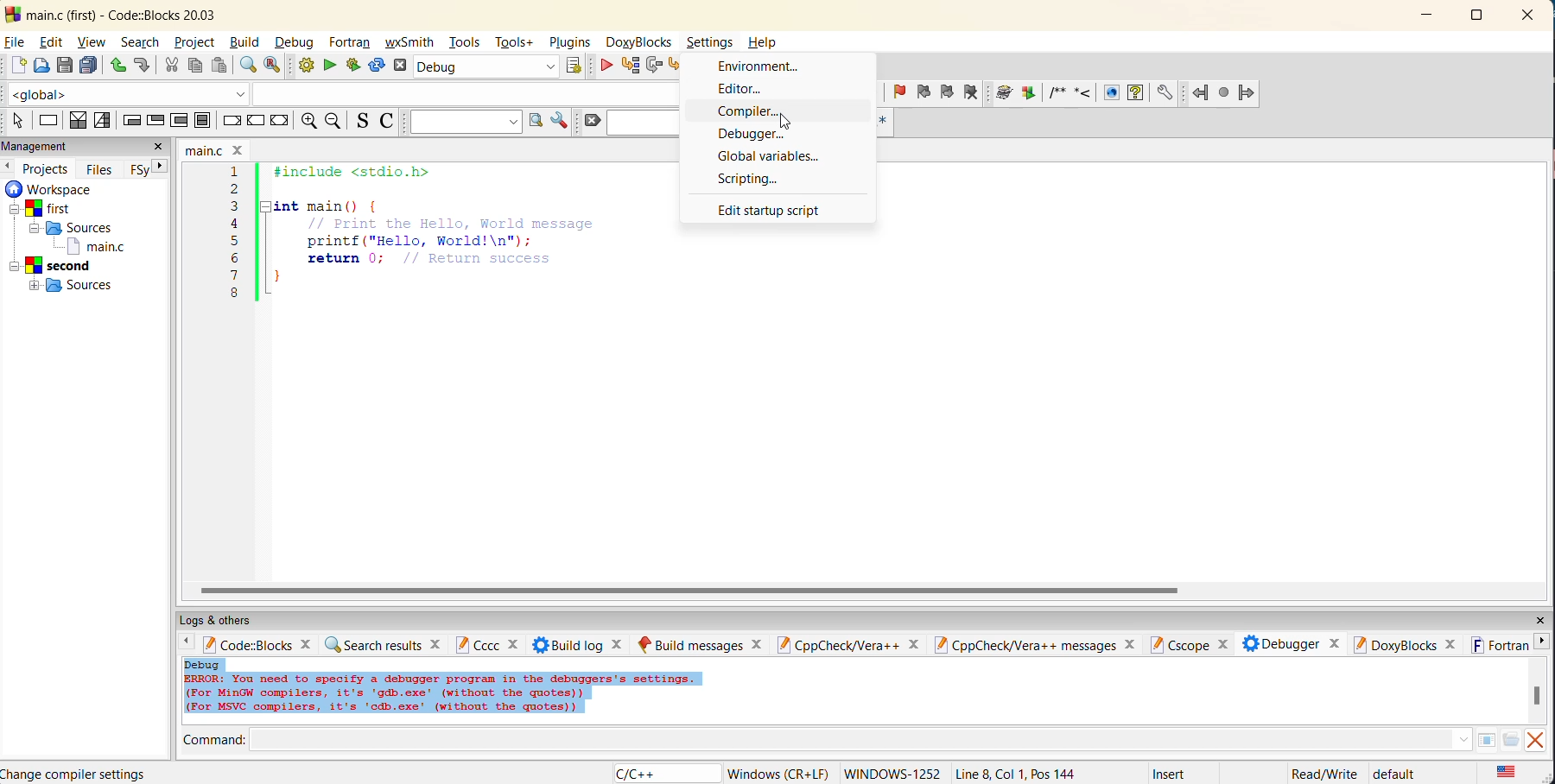 The width and height of the screenshot is (1555, 784). What do you see at coordinates (181, 122) in the screenshot?
I see `counting loop` at bounding box center [181, 122].